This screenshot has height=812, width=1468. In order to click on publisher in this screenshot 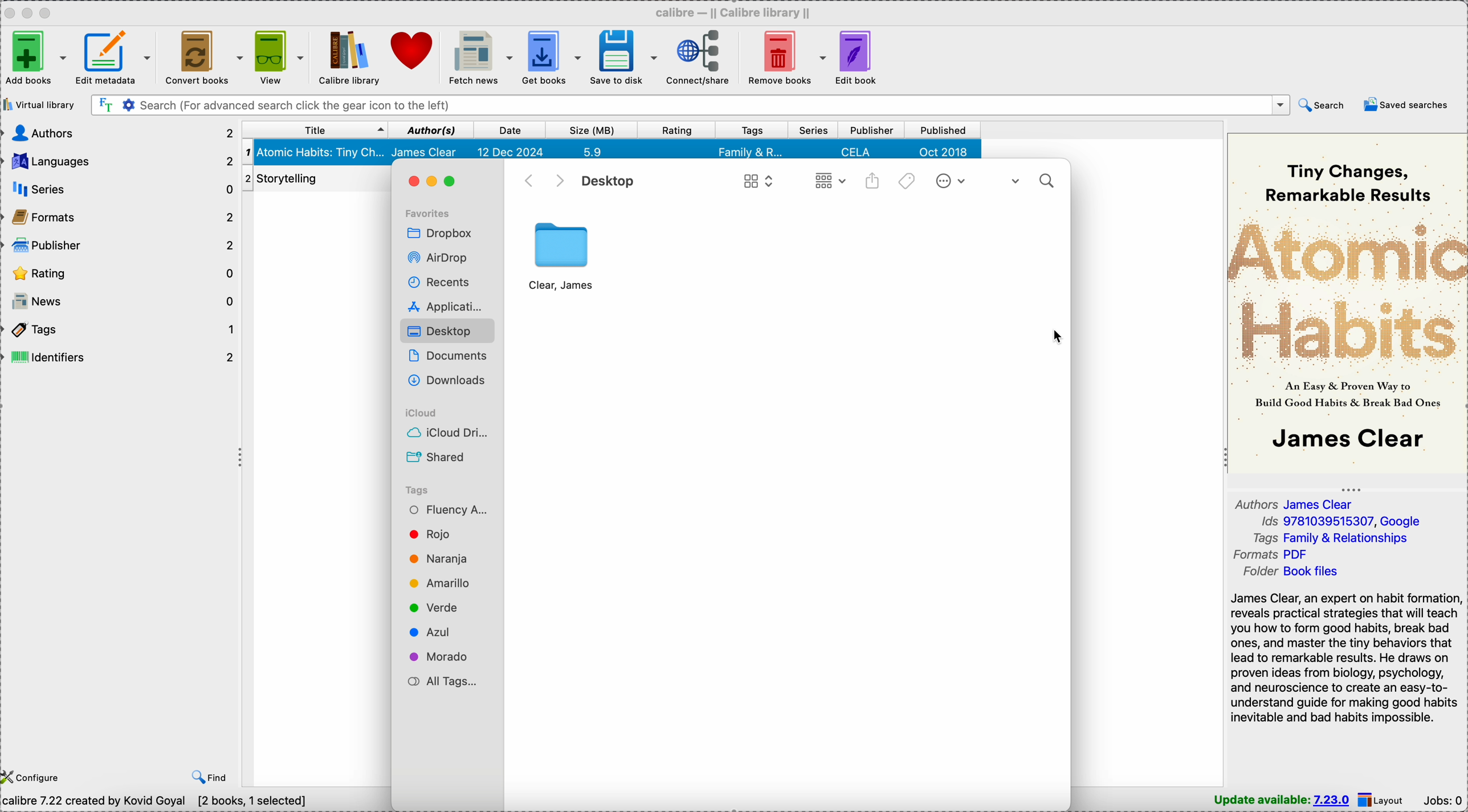, I will do `click(122, 246)`.